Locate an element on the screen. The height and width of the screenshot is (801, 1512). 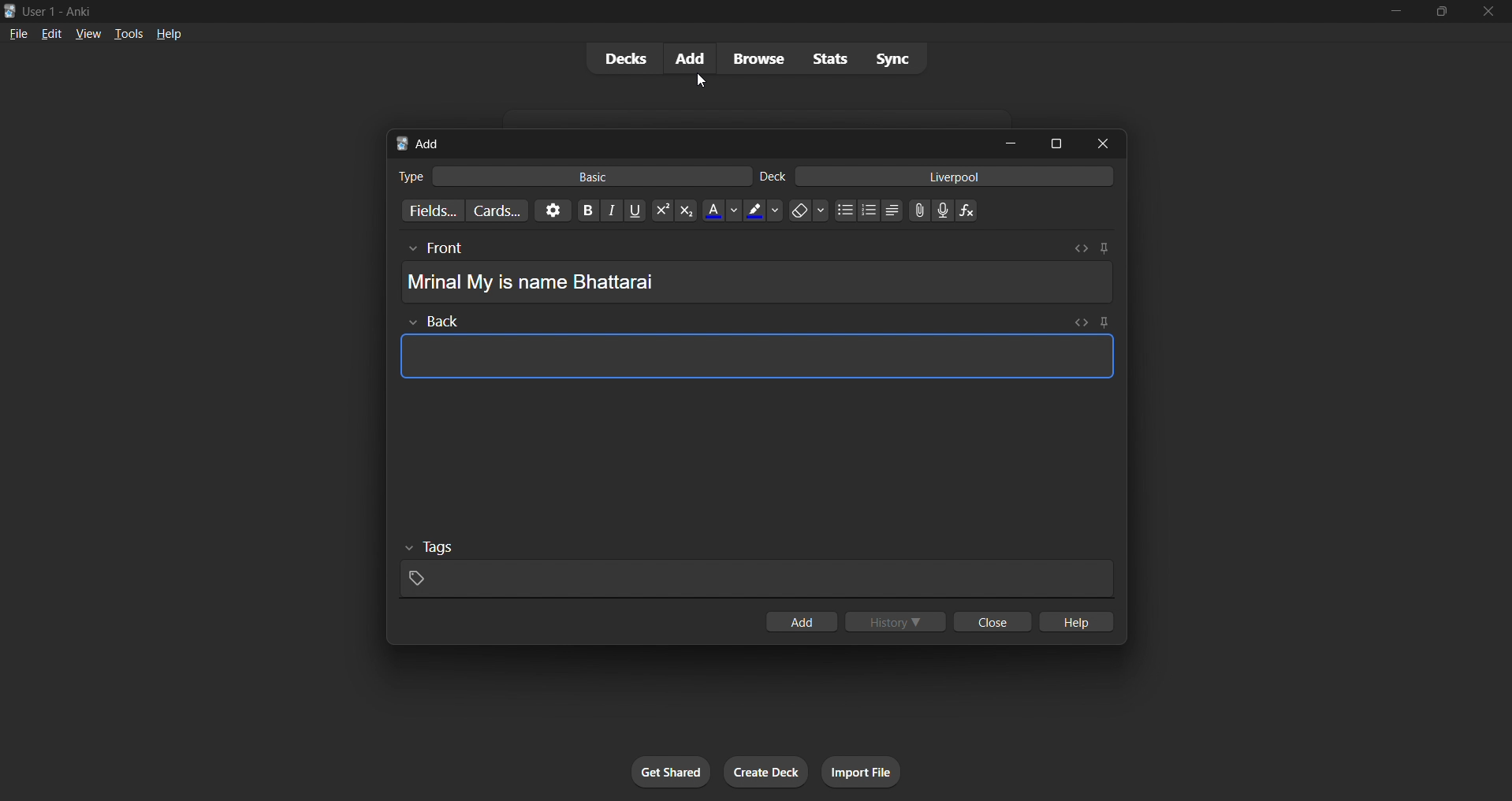
help is located at coordinates (167, 33).